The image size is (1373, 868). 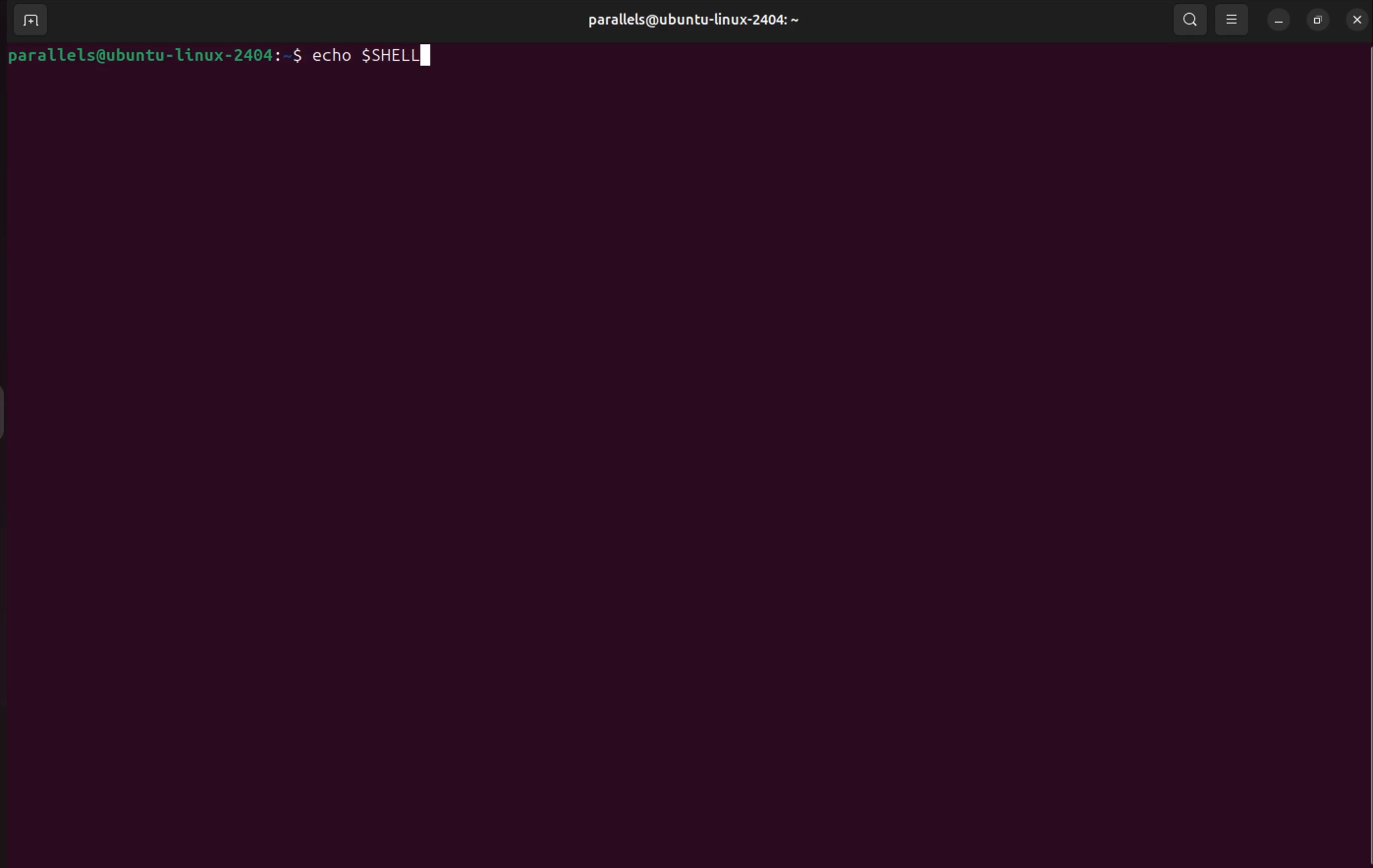 I want to click on close, so click(x=1356, y=19).